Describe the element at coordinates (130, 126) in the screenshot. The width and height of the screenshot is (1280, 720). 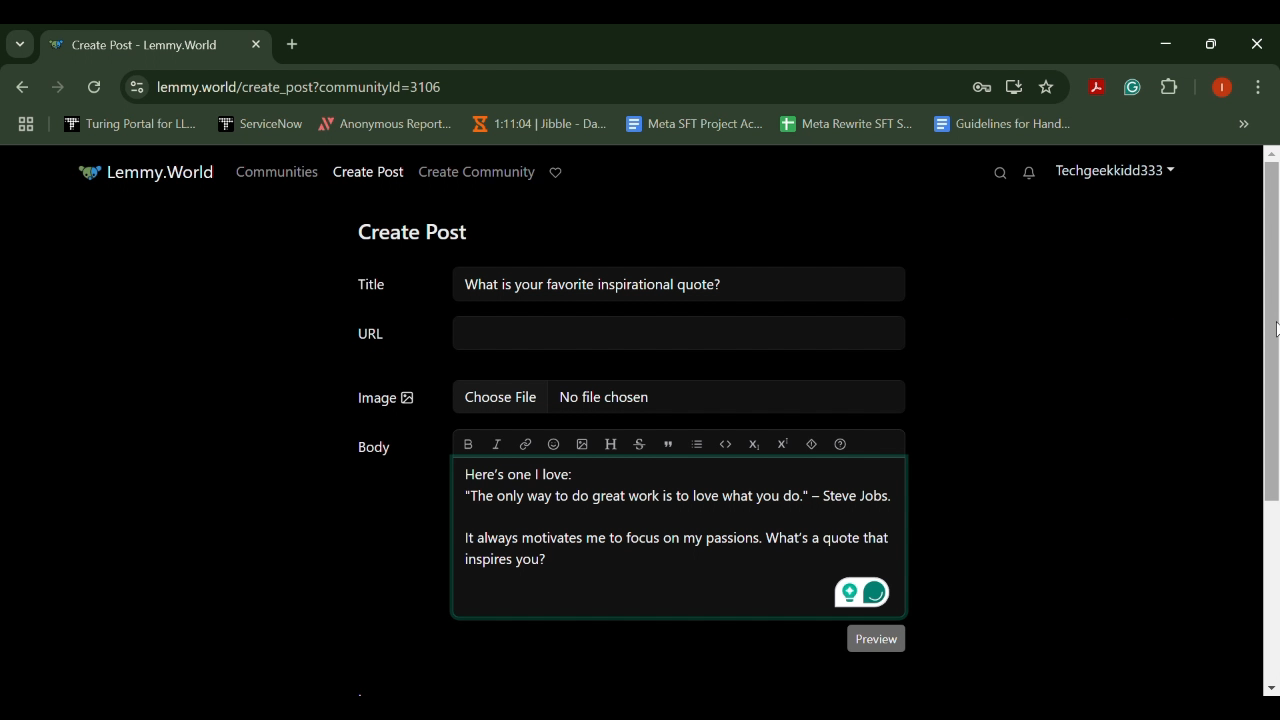
I see `Turing Portal for LL...` at that location.